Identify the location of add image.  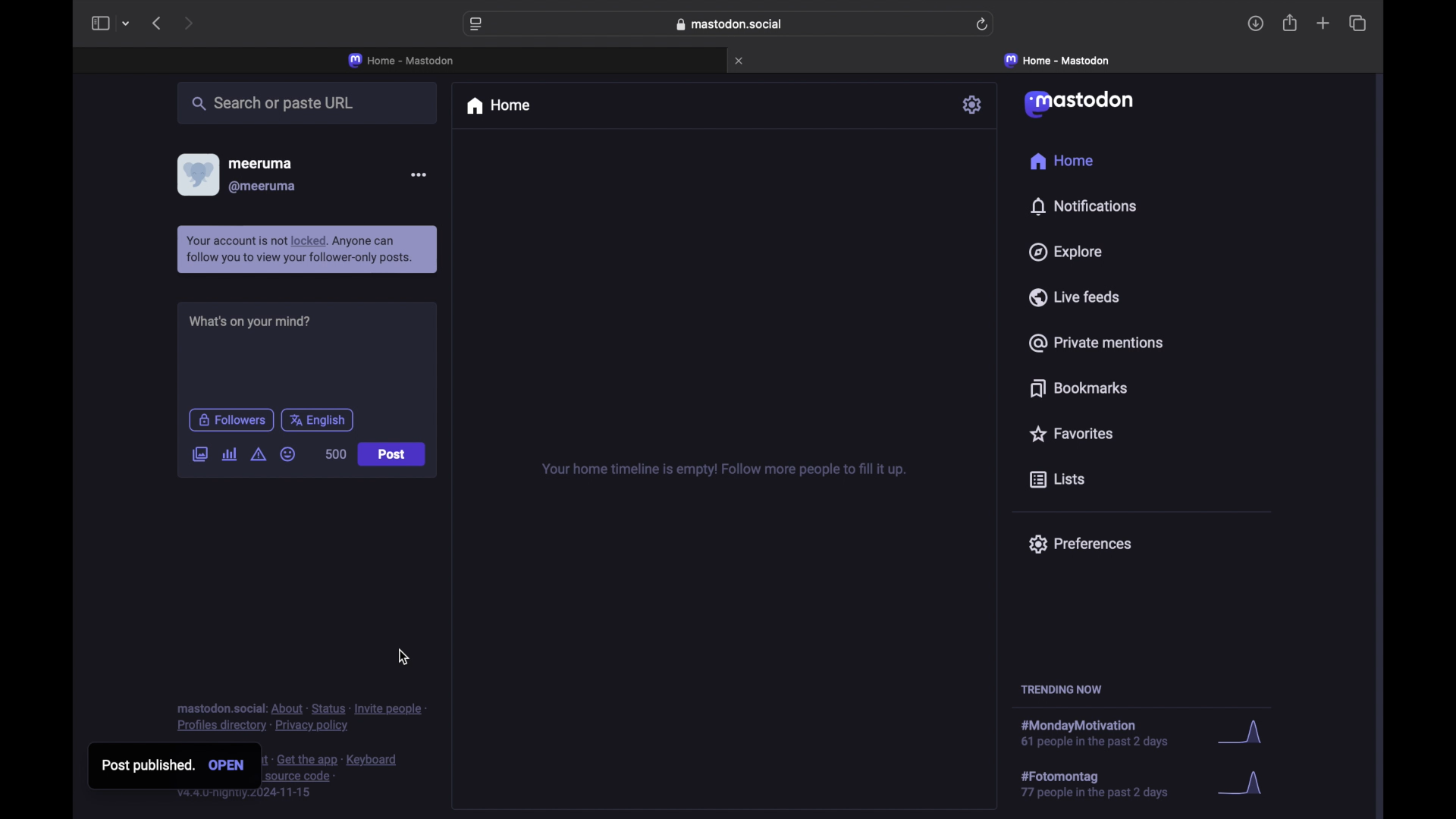
(199, 453).